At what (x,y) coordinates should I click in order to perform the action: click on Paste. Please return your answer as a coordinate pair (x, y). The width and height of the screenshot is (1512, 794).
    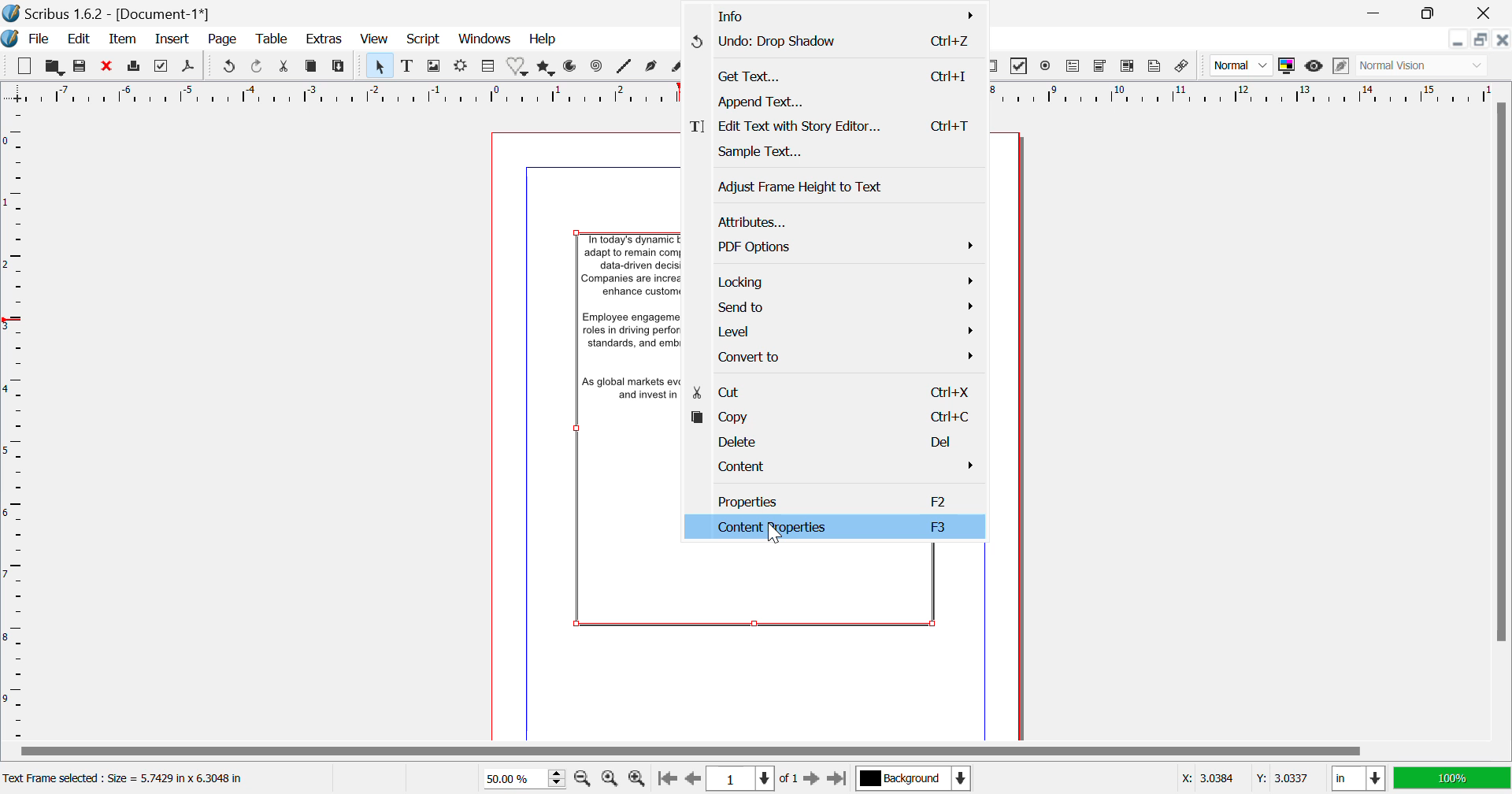
    Looking at the image, I should click on (339, 66).